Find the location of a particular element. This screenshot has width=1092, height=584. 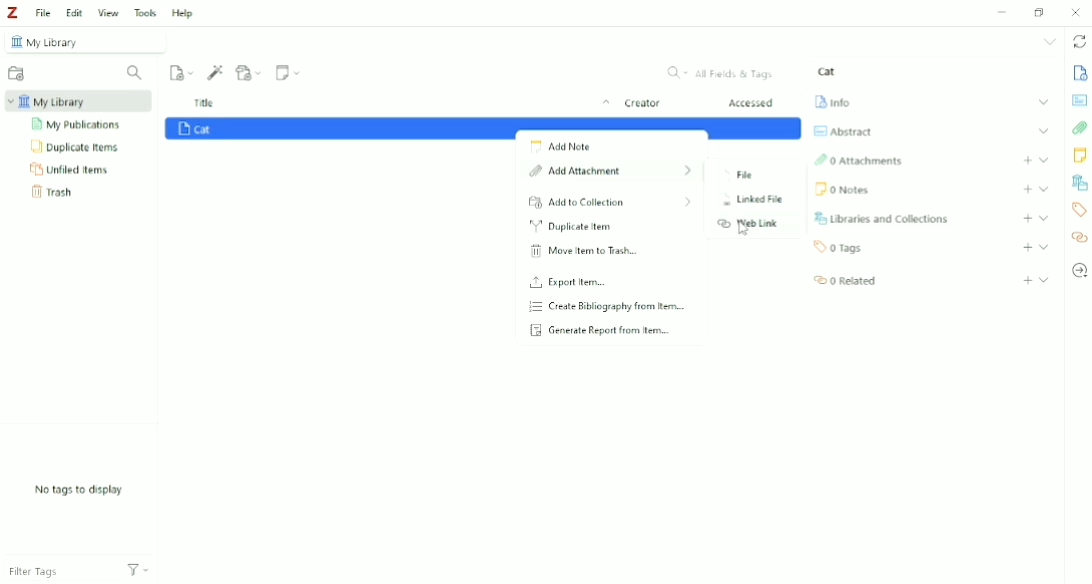

View is located at coordinates (109, 12).